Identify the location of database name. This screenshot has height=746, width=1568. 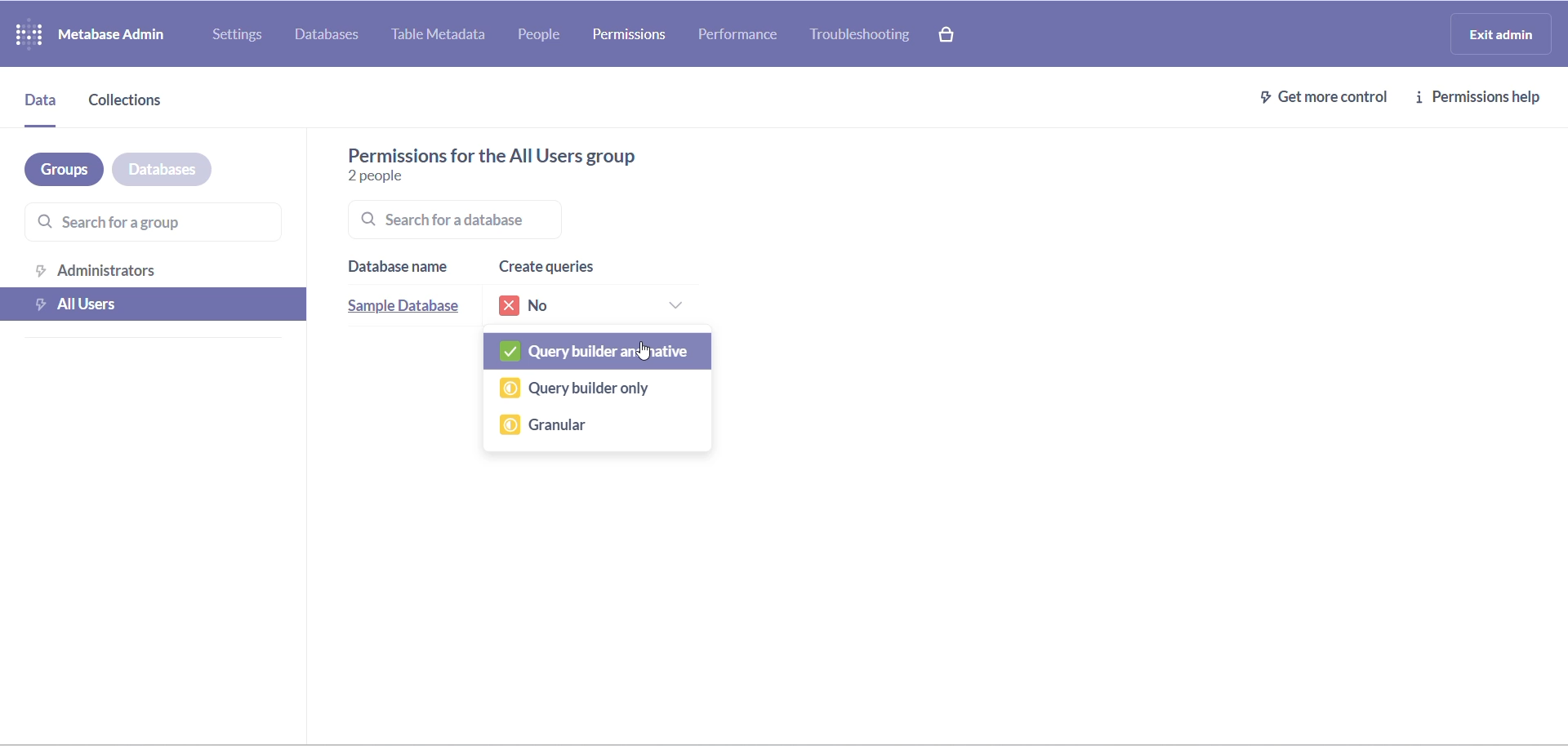
(406, 268).